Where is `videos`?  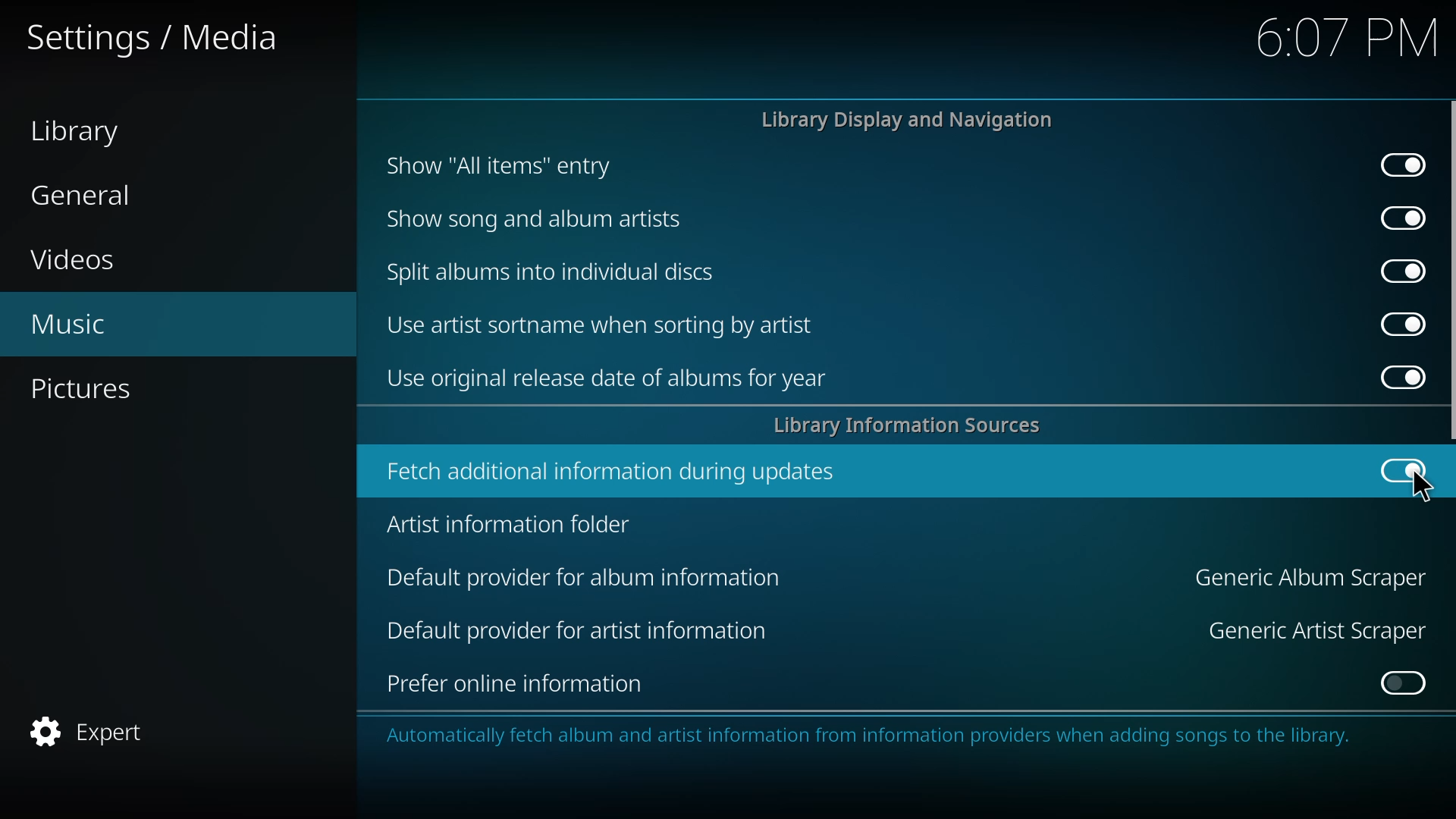
videos is located at coordinates (73, 257).